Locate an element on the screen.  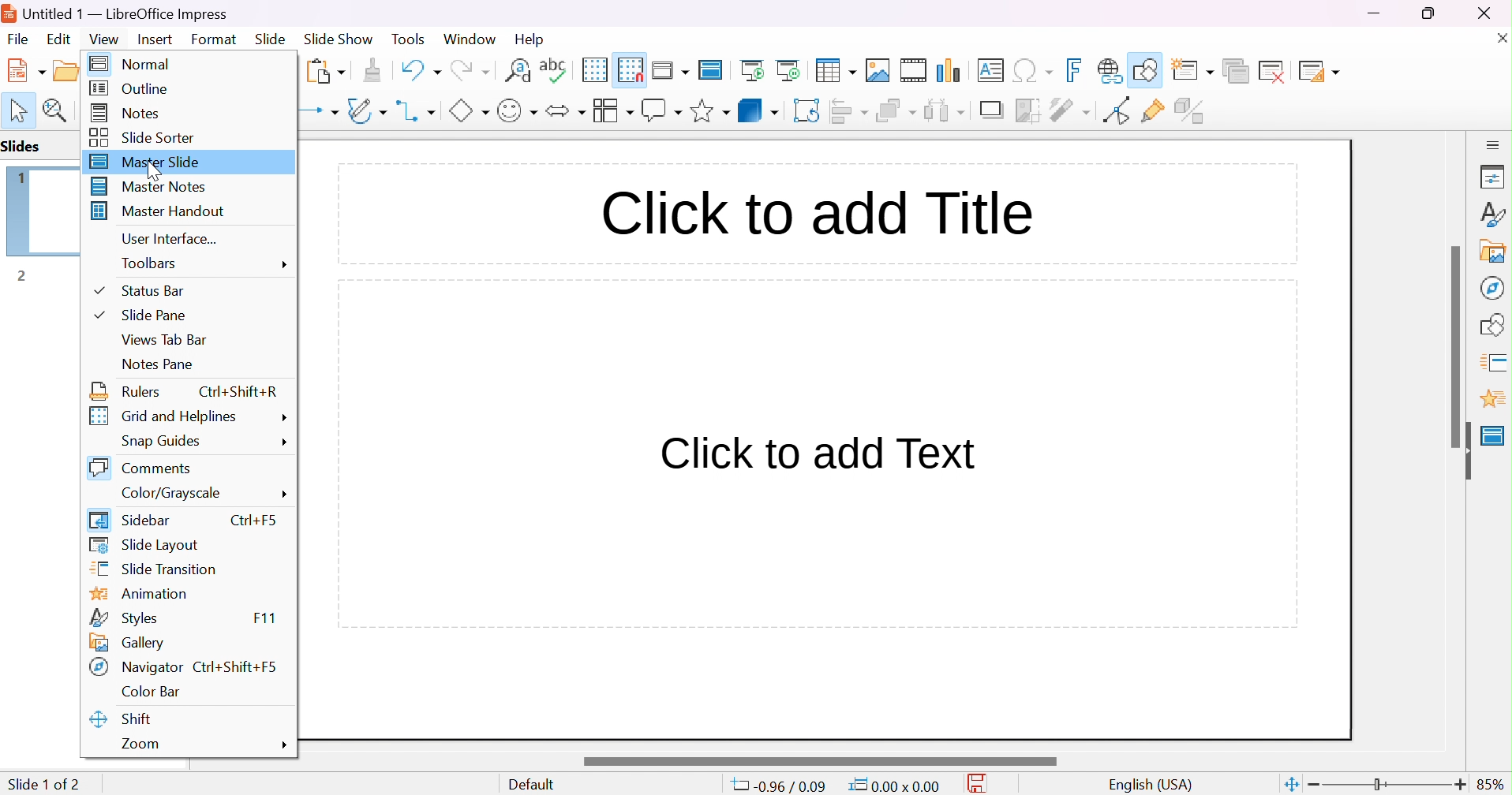
styles is located at coordinates (1494, 214).